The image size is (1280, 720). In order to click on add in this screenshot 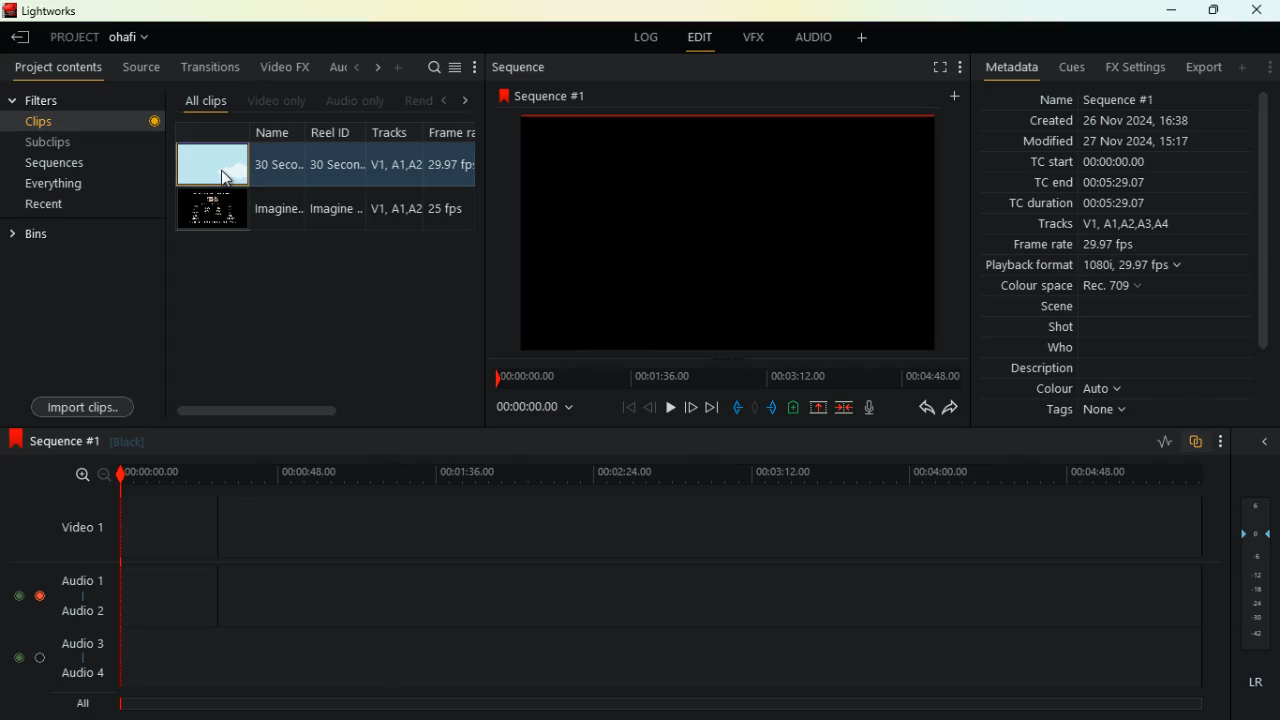, I will do `click(869, 40)`.